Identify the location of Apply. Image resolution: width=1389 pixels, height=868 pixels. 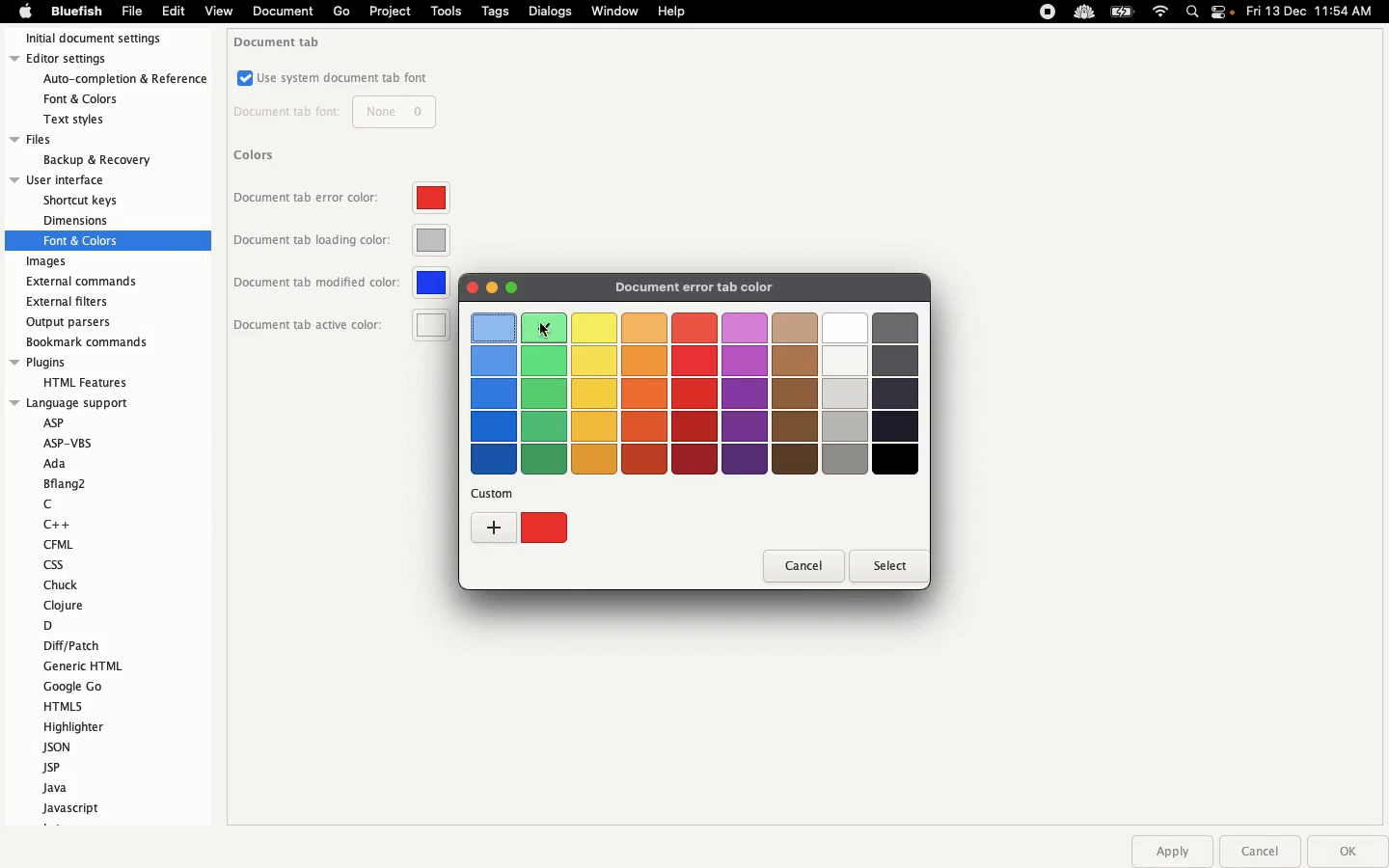
(1171, 852).